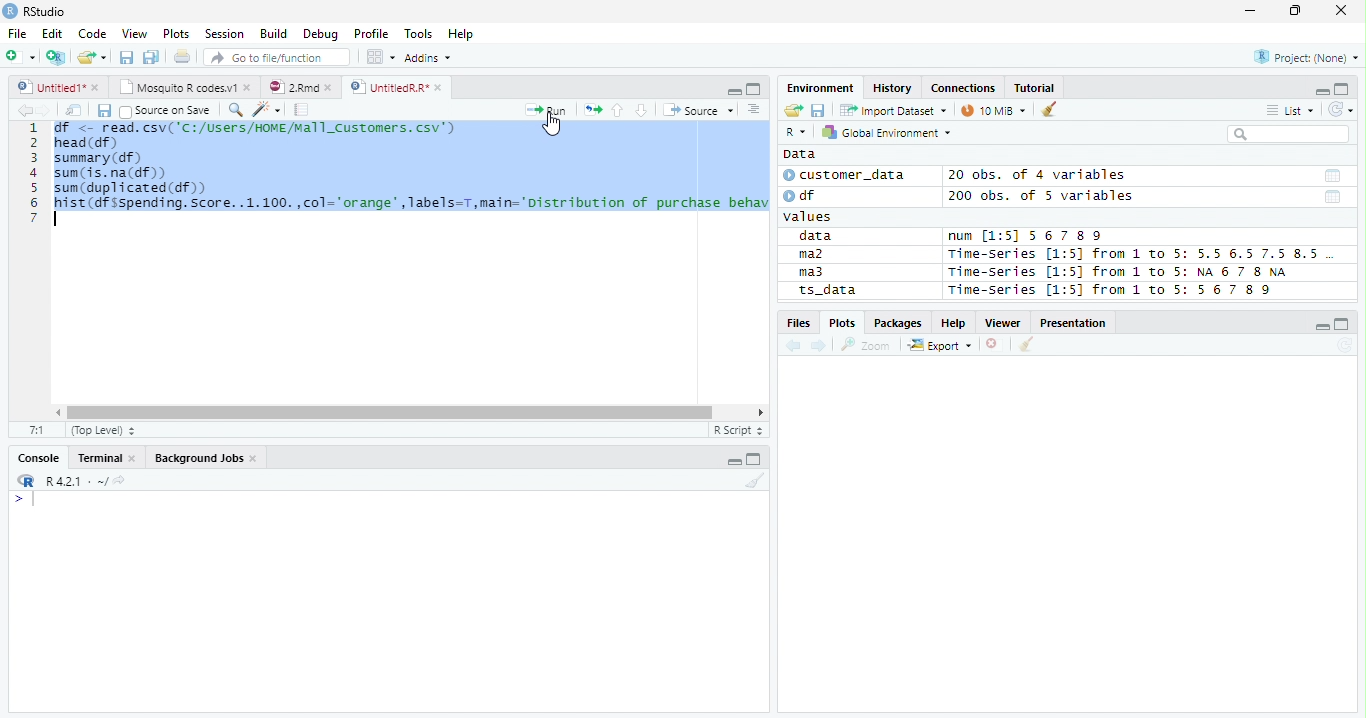 This screenshot has width=1366, height=718. Describe the element at coordinates (995, 110) in the screenshot. I see `10 MiB` at that location.